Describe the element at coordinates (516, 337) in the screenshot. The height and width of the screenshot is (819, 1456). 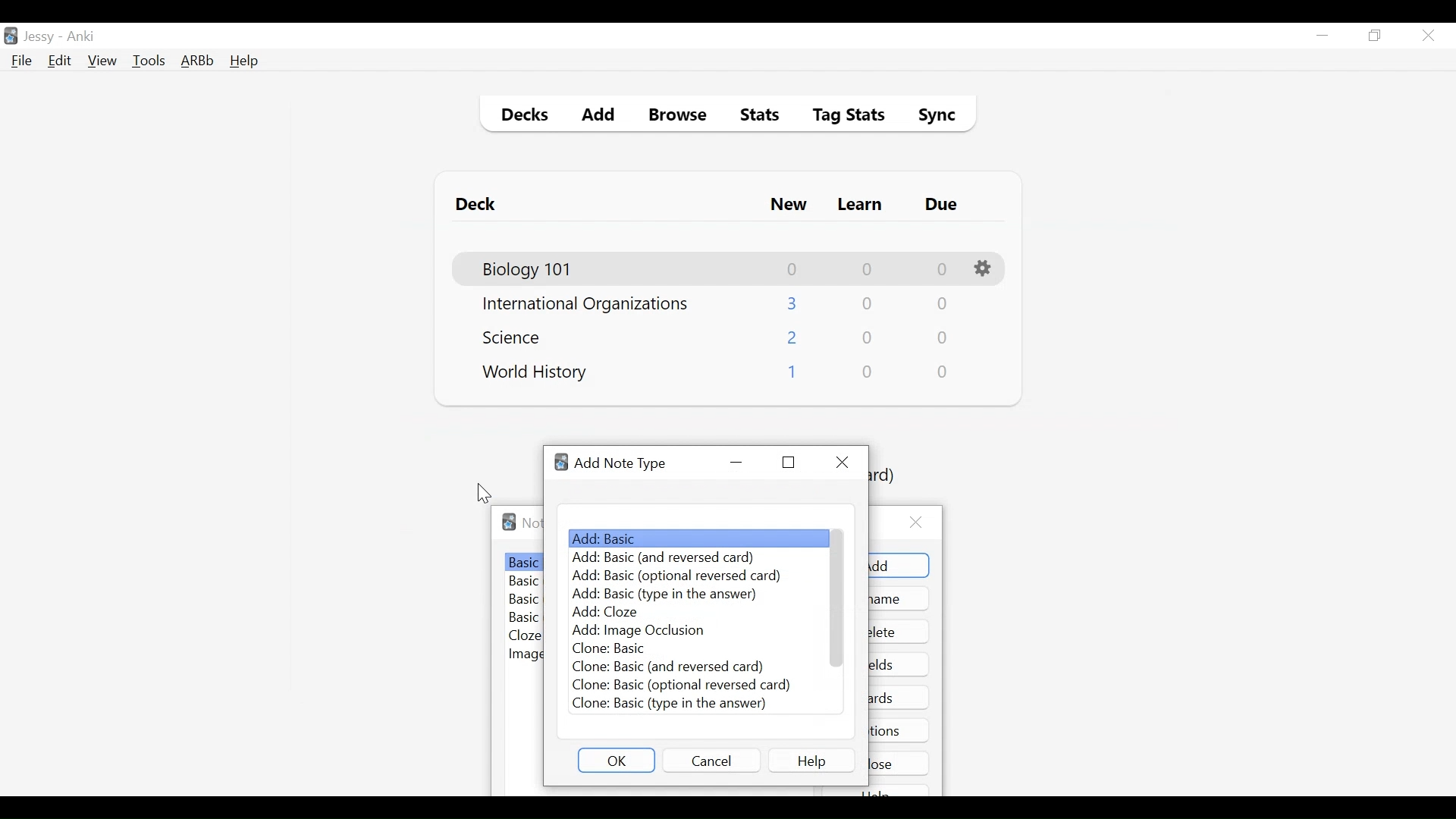
I see `Deck Name` at that location.